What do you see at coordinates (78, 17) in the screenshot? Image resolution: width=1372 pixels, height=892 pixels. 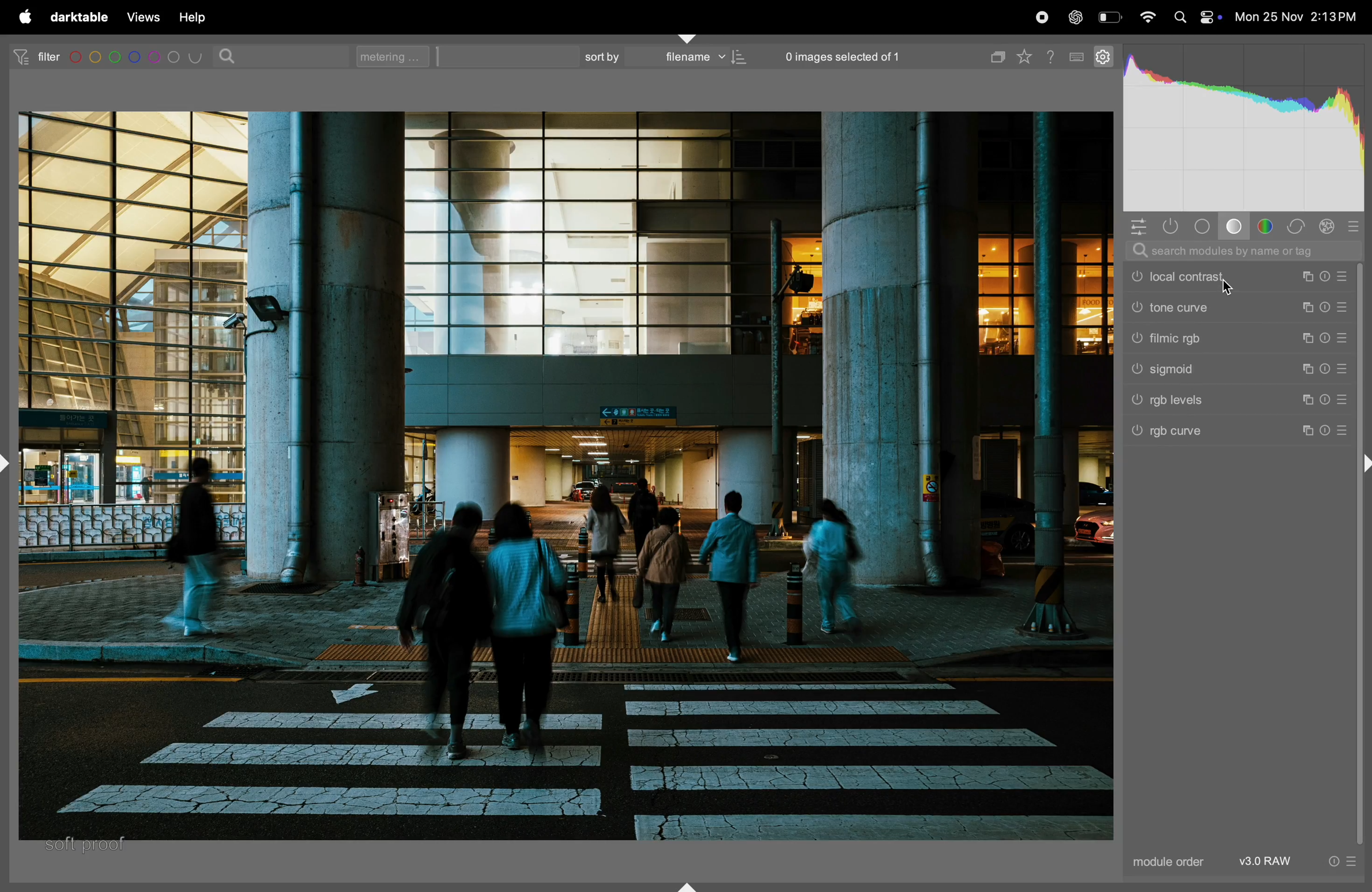 I see `darktable` at bounding box center [78, 17].